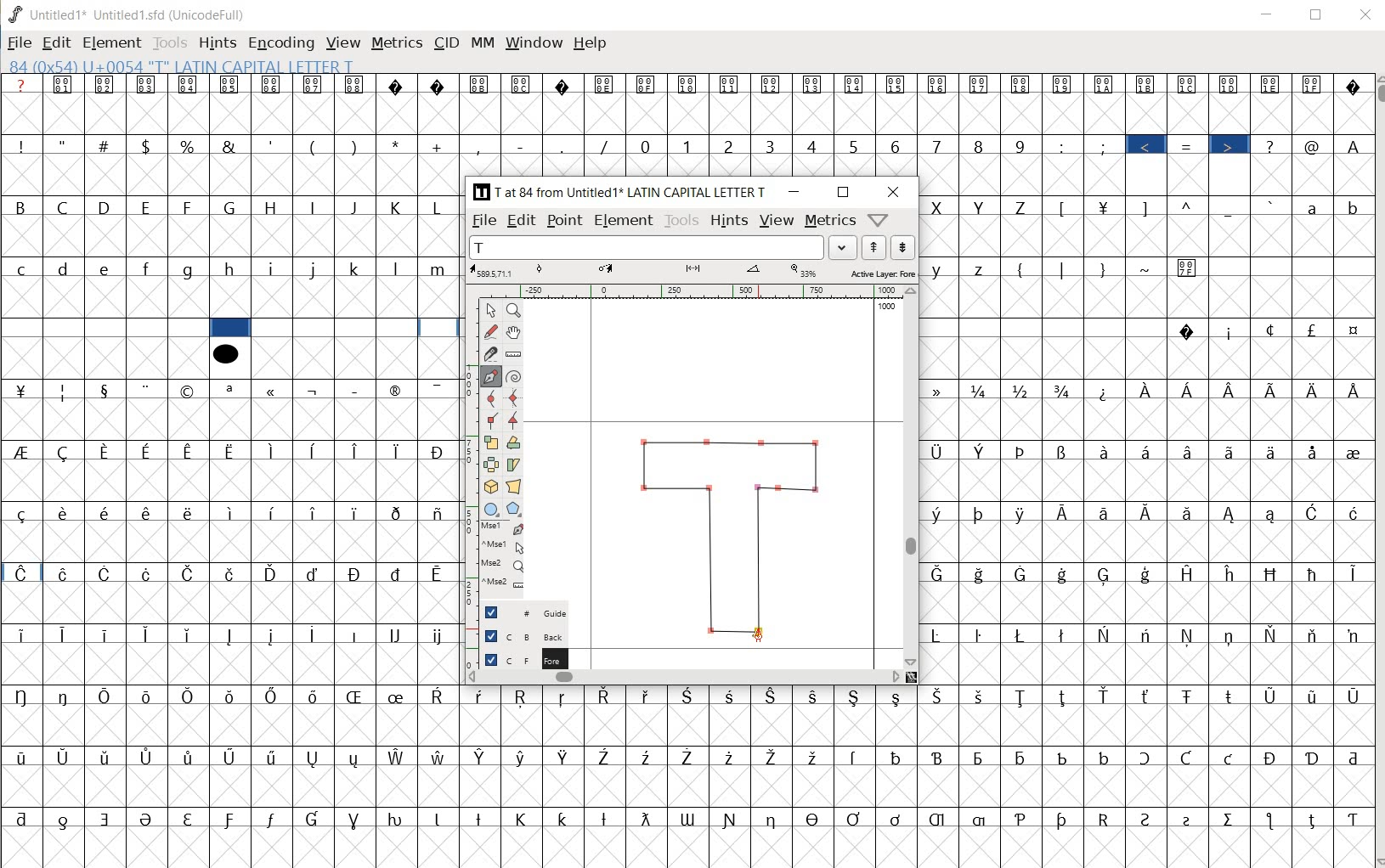 Image resolution: width=1385 pixels, height=868 pixels. I want to click on Symbol, so click(1148, 697).